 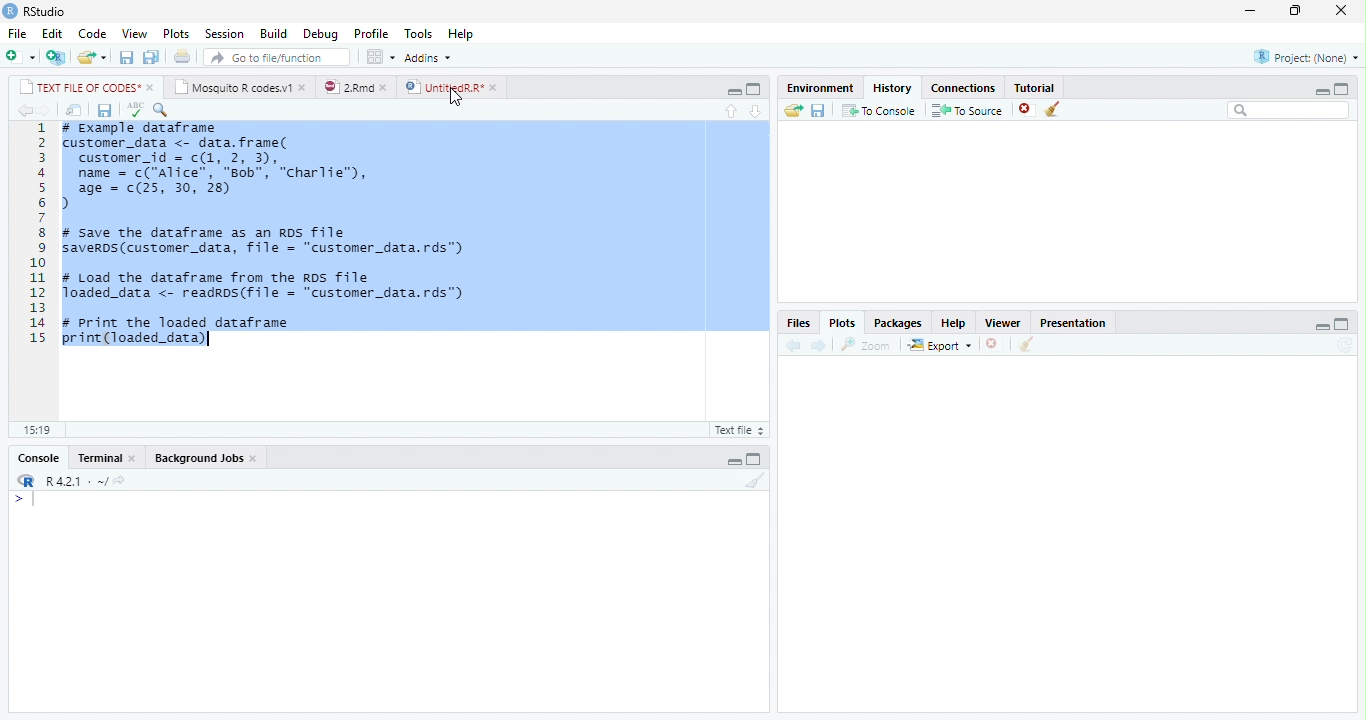 I want to click on save, so click(x=104, y=111).